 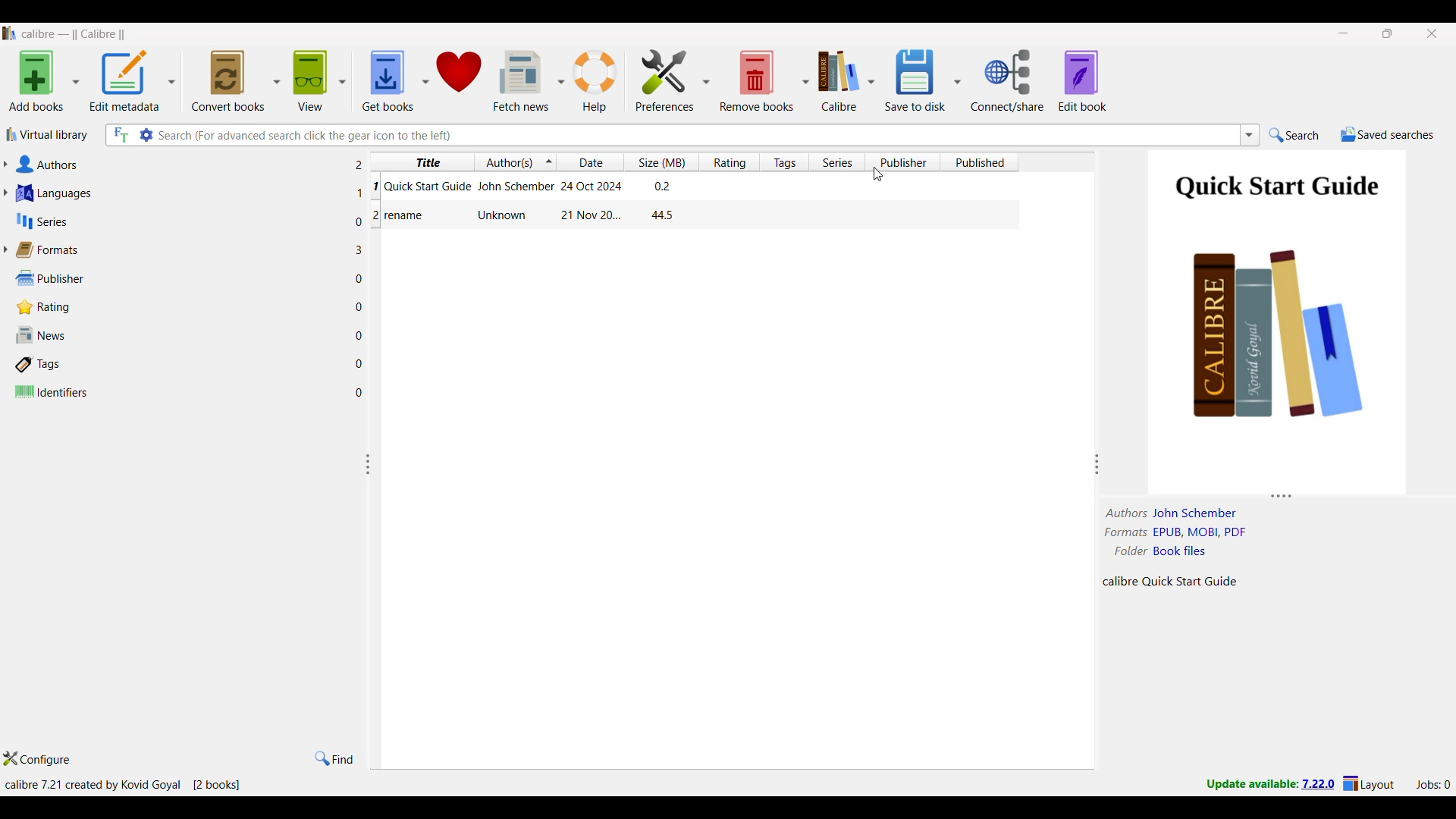 What do you see at coordinates (458, 80) in the screenshot?
I see `Donate to software` at bounding box center [458, 80].